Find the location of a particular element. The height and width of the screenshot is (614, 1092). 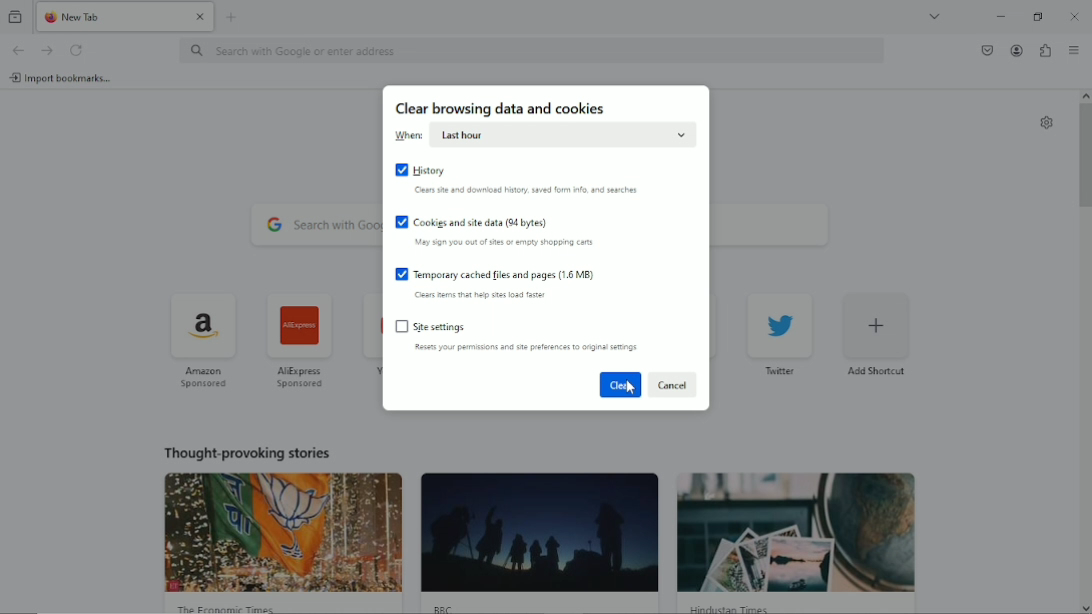

New Tab is located at coordinates (109, 16).